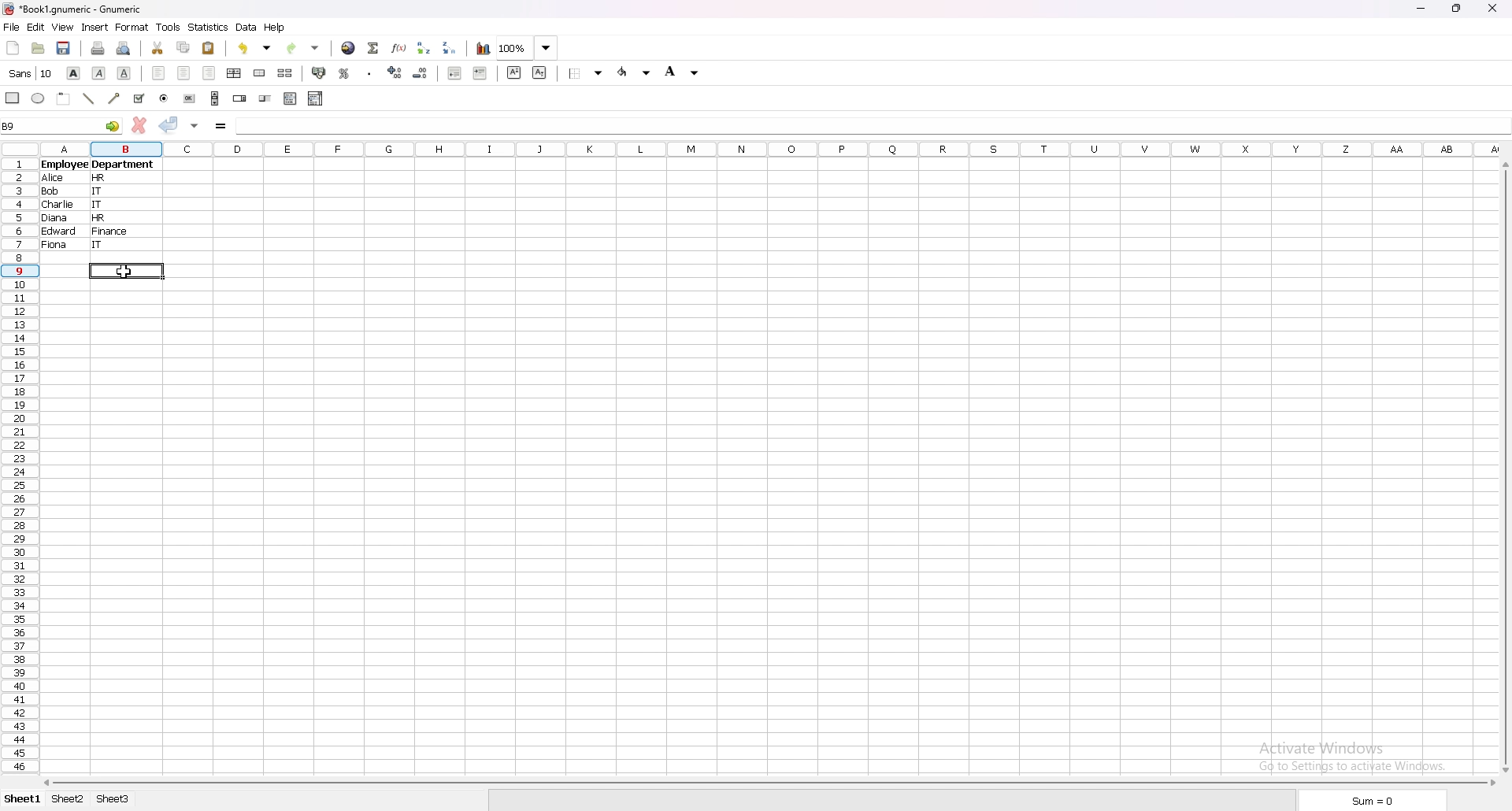 This screenshot has height=811, width=1512. What do you see at coordinates (30, 73) in the screenshot?
I see `font` at bounding box center [30, 73].